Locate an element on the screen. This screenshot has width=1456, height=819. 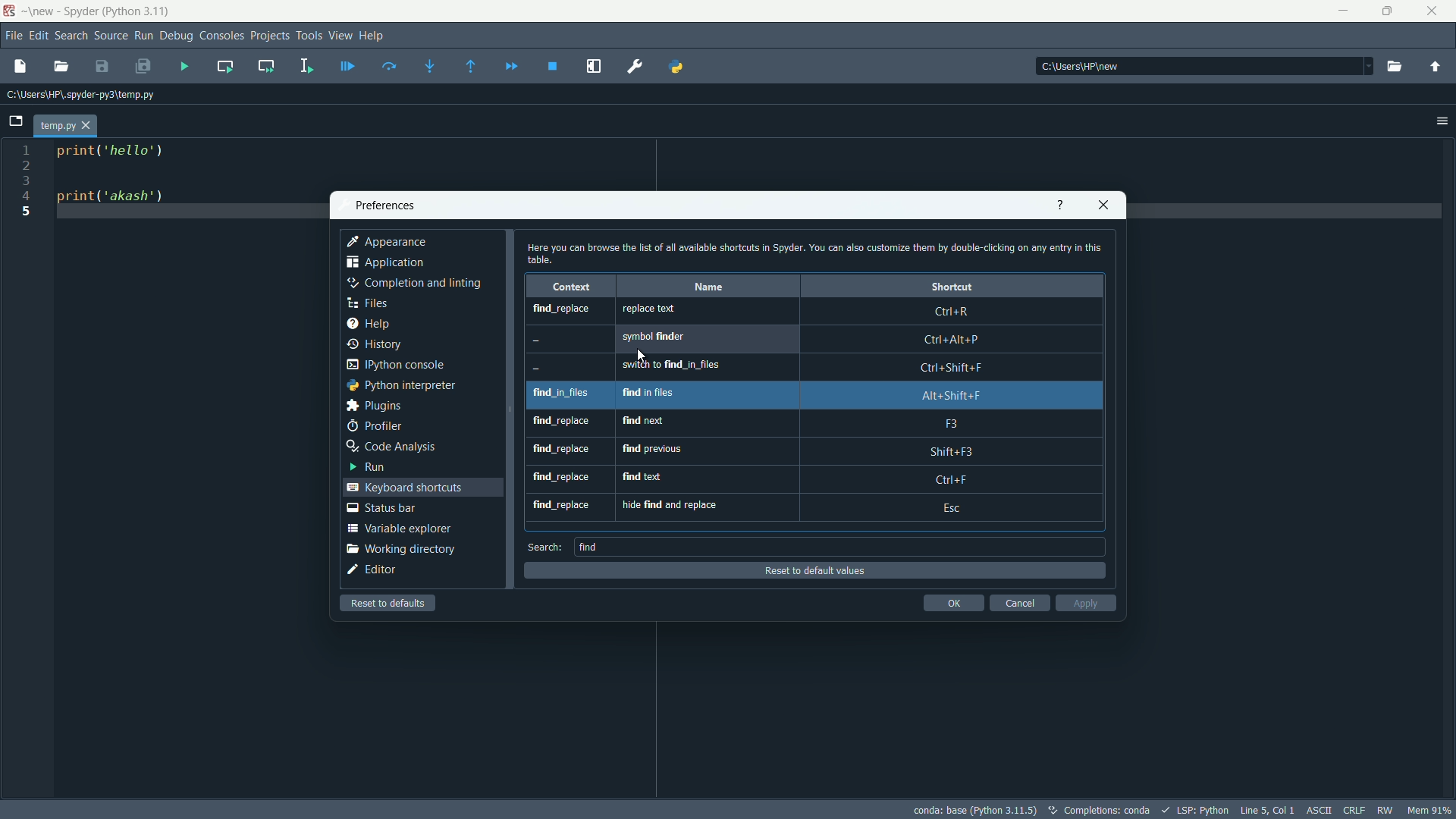
Mem 91% is located at coordinates (1430, 811).